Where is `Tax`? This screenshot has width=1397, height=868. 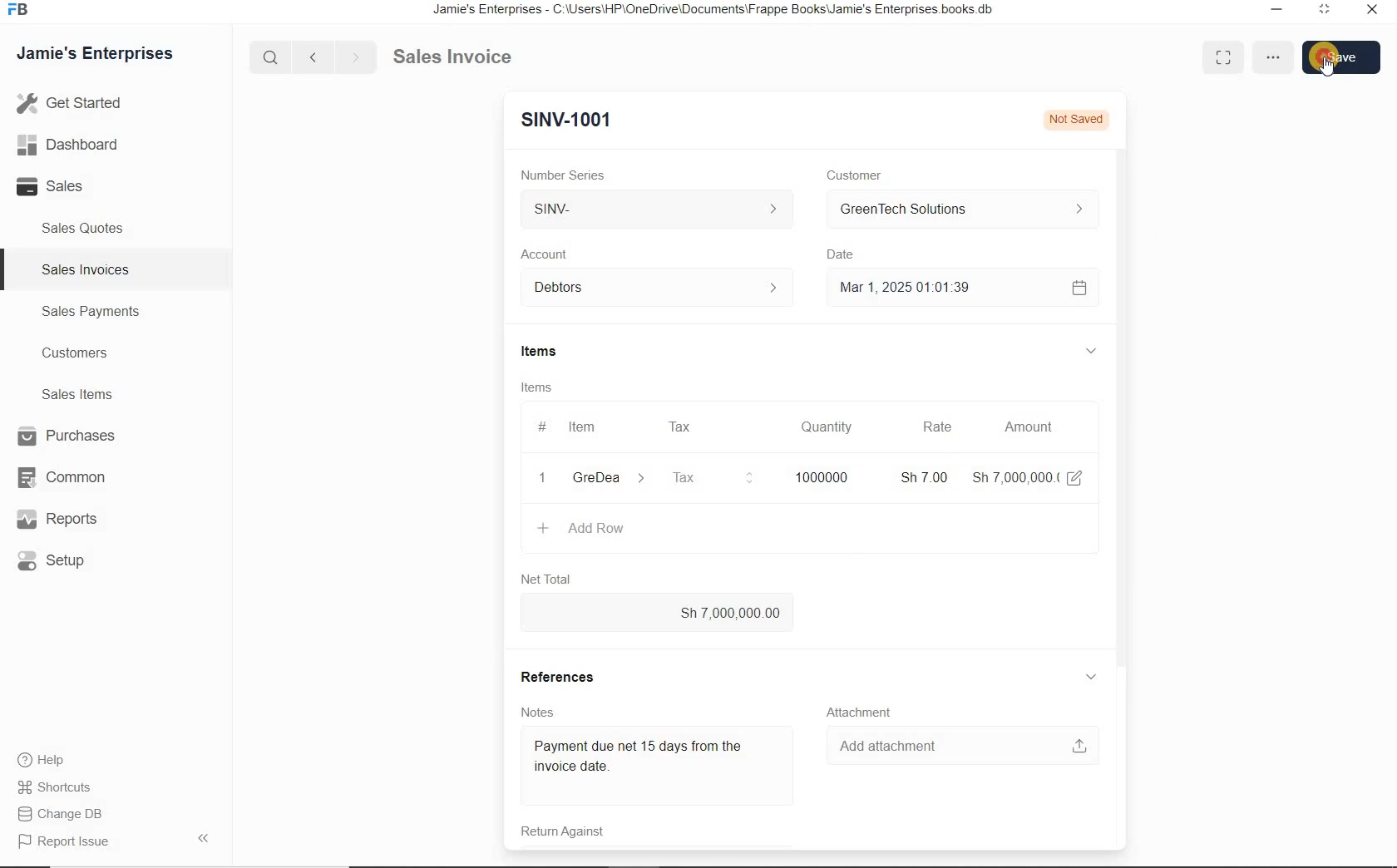 Tax is located at coordinates (711, 476).